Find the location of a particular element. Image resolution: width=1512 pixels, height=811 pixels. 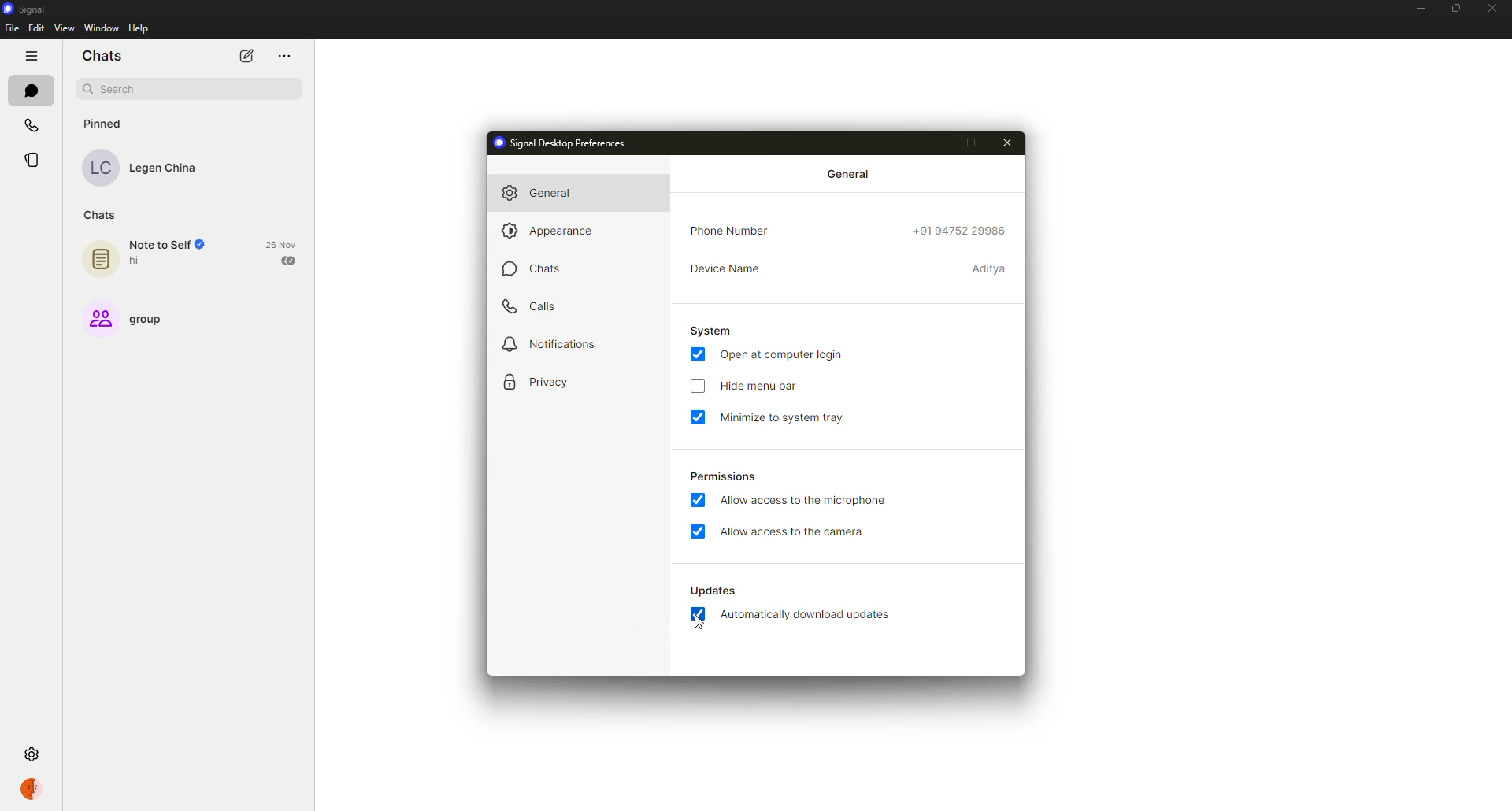

calls is located at coordinates (31, 126).